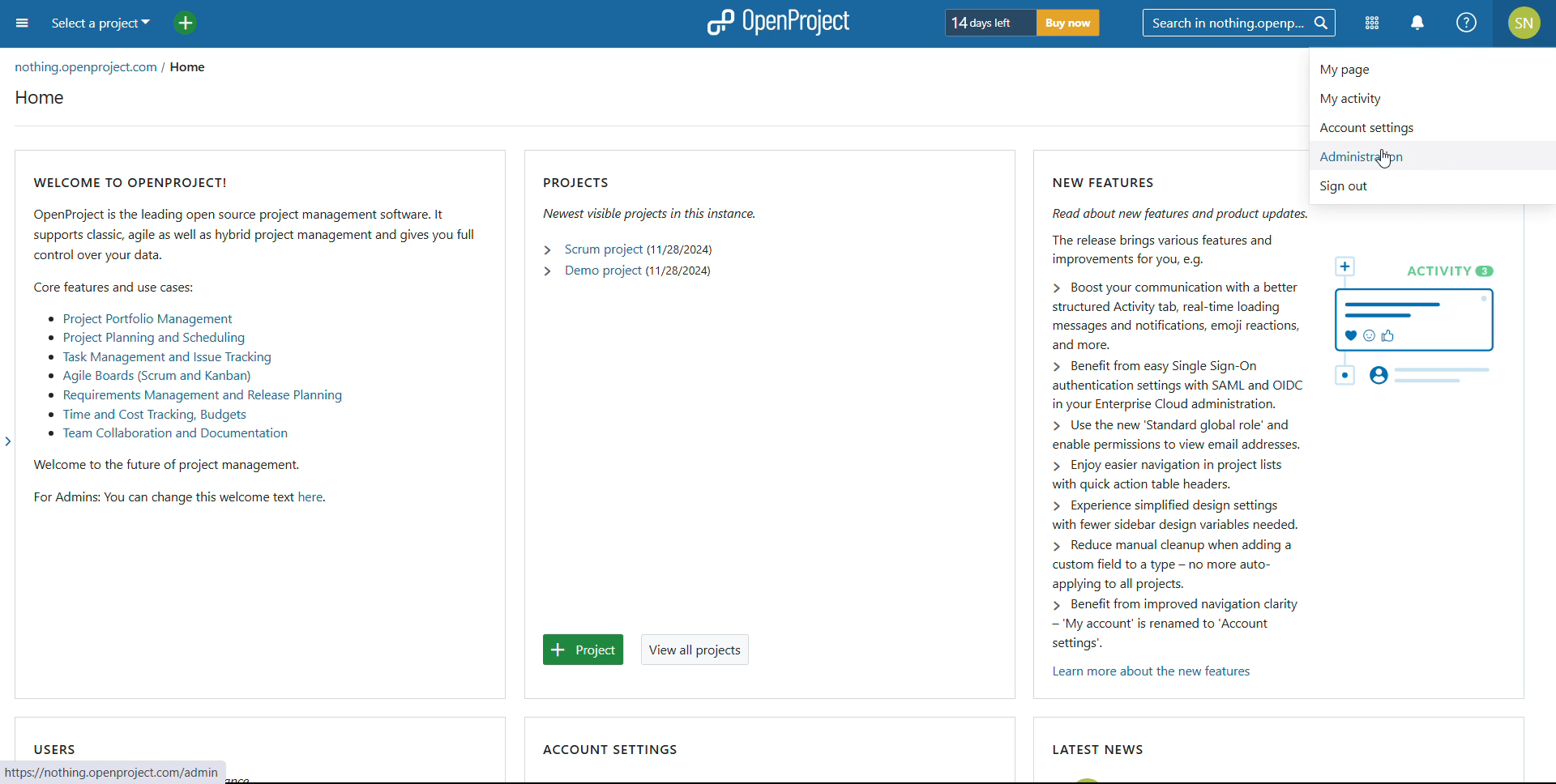 Image resolution: width=1556 pixels, height=784 pixels. Describe the element at coordinates (1386, 159) in the screenshot. I see `cursor` at that location.